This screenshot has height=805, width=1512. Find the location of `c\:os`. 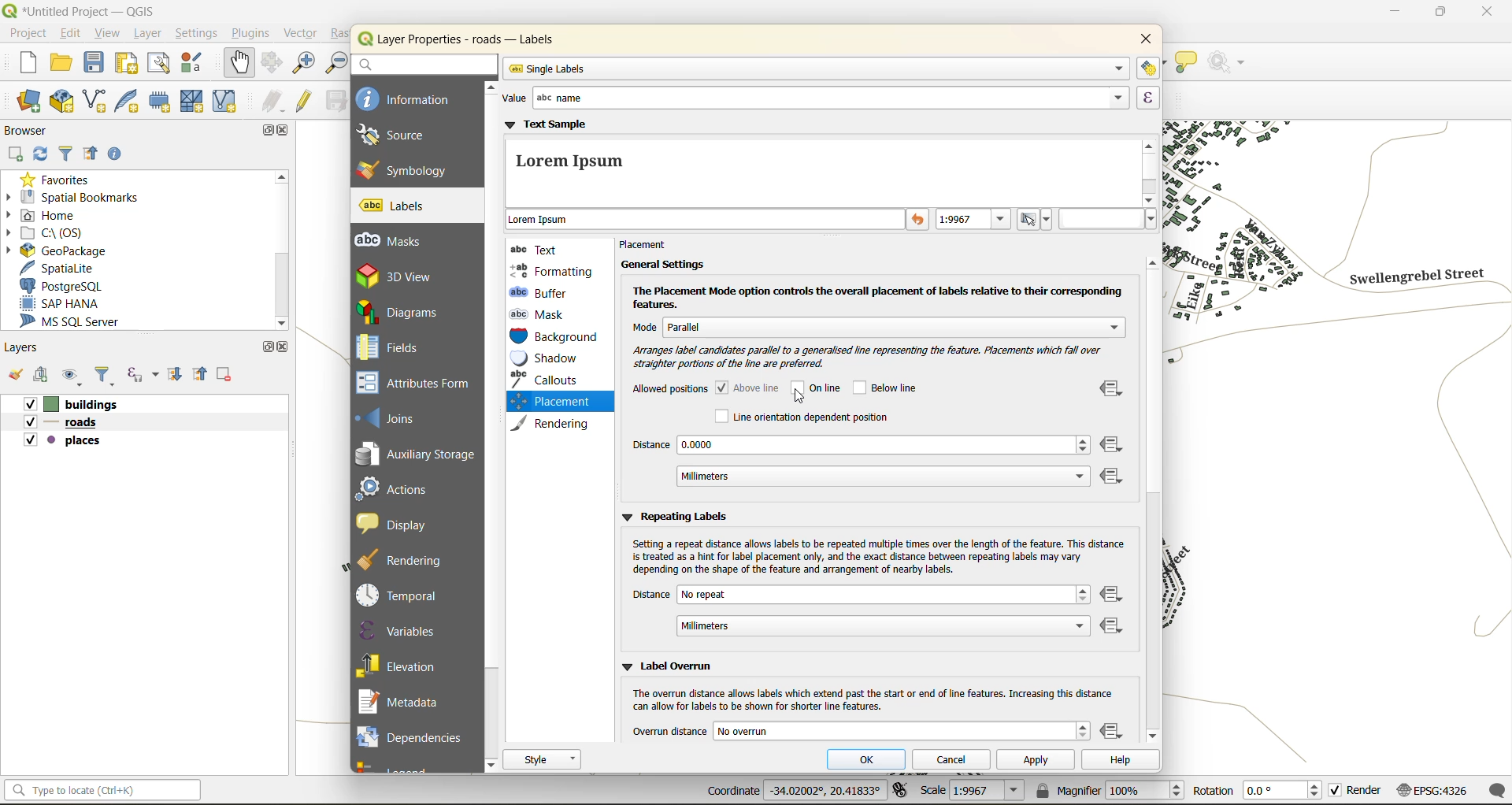

c\:os is located at coordinates (57, 234).